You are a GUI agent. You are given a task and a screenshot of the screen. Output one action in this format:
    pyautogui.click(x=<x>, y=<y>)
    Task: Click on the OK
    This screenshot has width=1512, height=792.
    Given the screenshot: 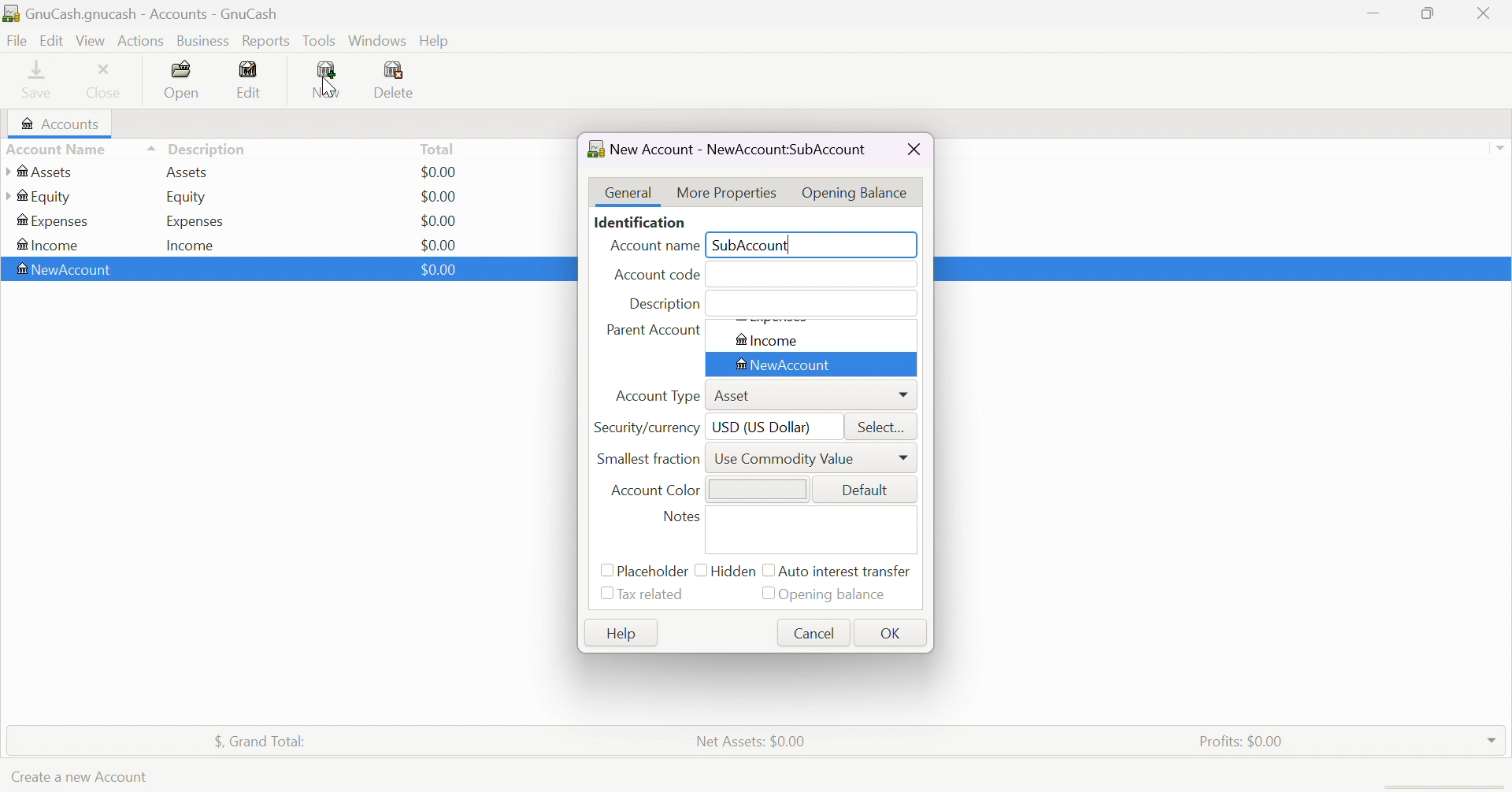 What is the action you would take?
    pyautogui.click(x=889, y=635)
    